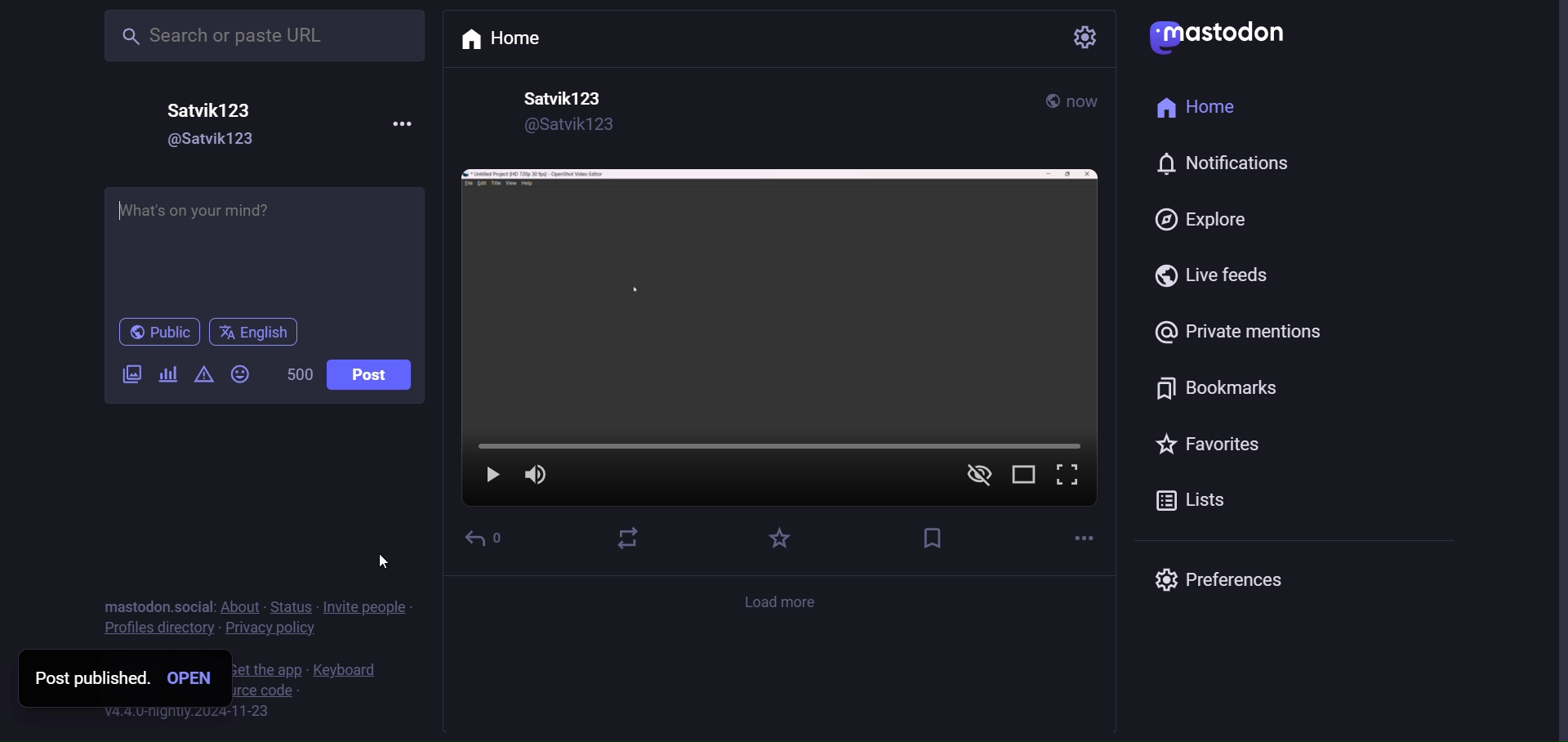  Describe the element at coordinates (1024, 477) in the screenshot. I see `view` at that location.